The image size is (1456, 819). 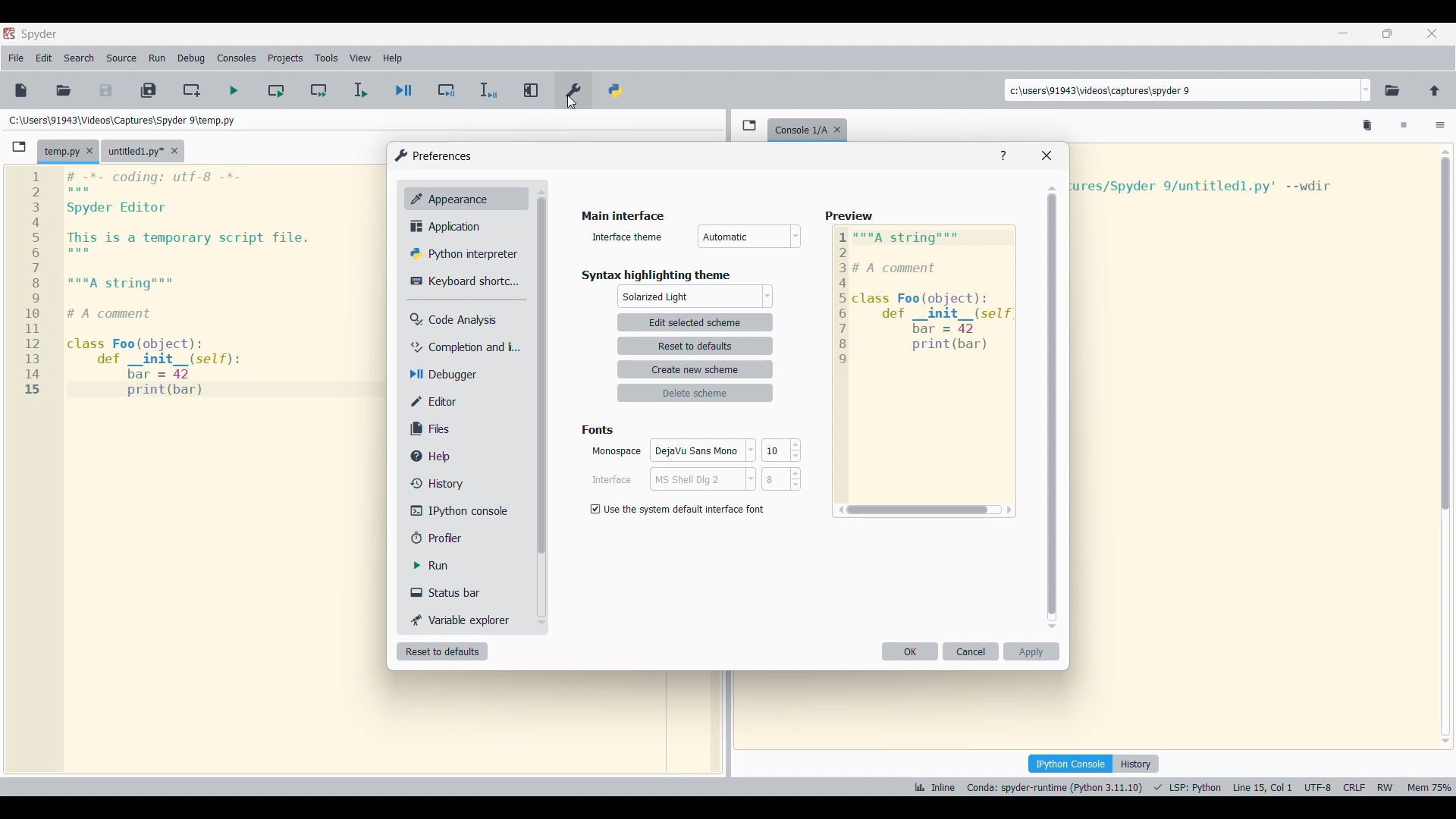 What do you see at coordinates (612, 479) in the screenshot?
I see `Indicates Interface font settings` at bounding box center [612, 479].